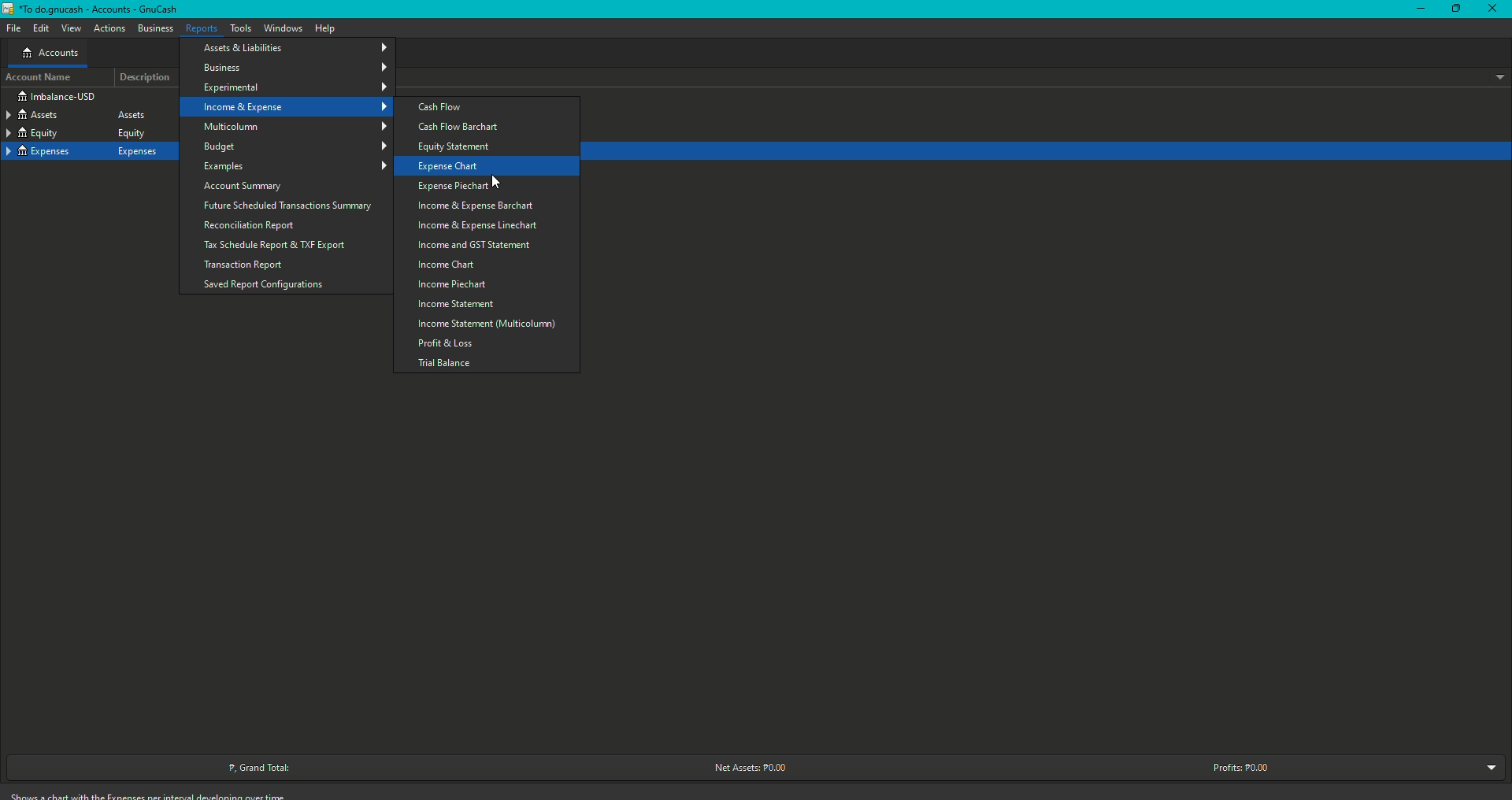 This screenshot has width=1512, height=800. What do you see at coordinates (1492, 10) in the screenshot?
I see `Close` at bounding box center [1492, 10].